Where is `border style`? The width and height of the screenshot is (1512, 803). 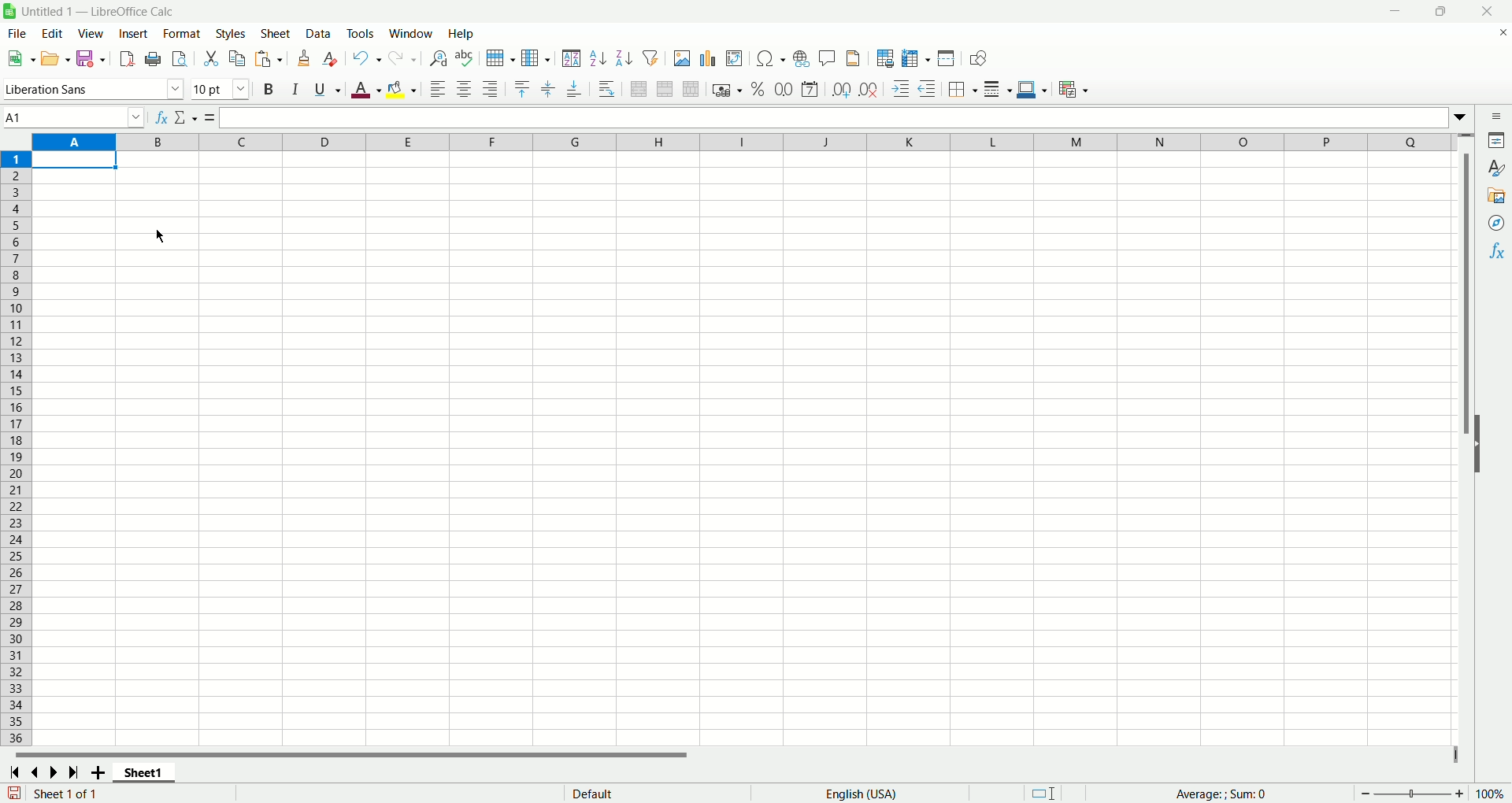 border style is located at coordinates (999, 90).